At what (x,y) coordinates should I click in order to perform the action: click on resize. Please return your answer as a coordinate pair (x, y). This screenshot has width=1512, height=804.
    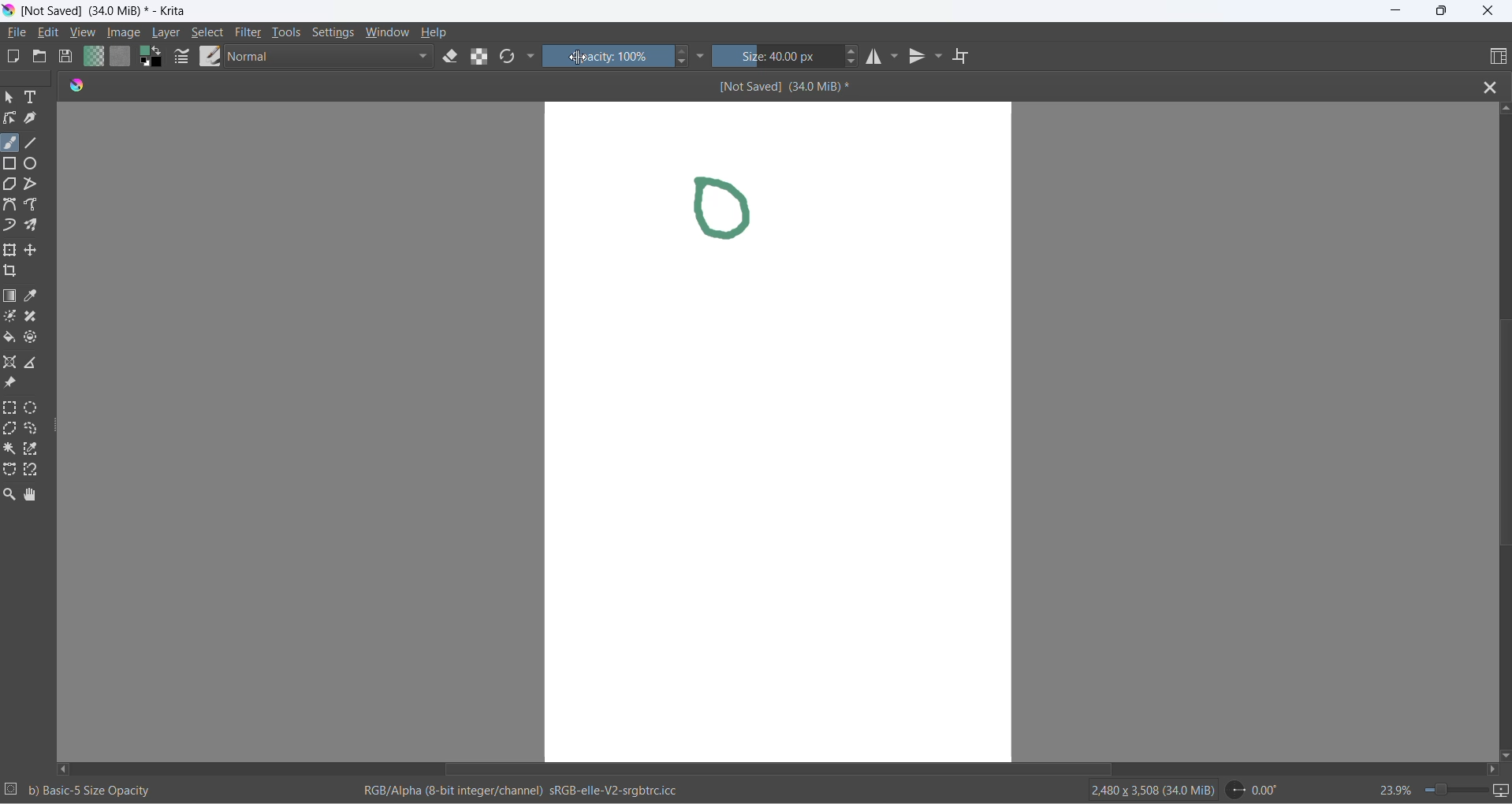
    Looking at the image, I should click on (58, 424).